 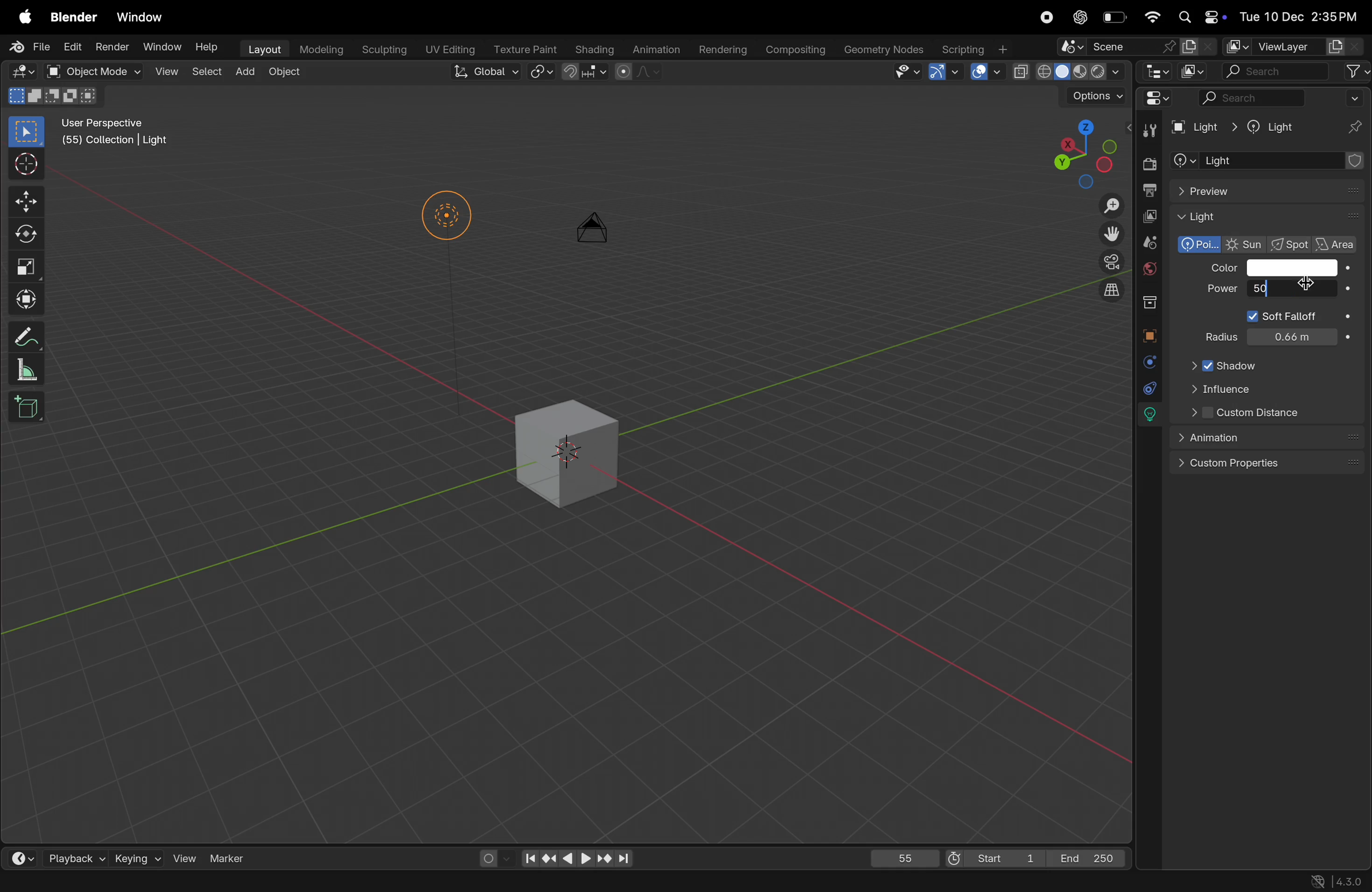 What do you see at coordinates (71, 47) in the screenshot?
I see `Edit` at bounding box center [71, 47].